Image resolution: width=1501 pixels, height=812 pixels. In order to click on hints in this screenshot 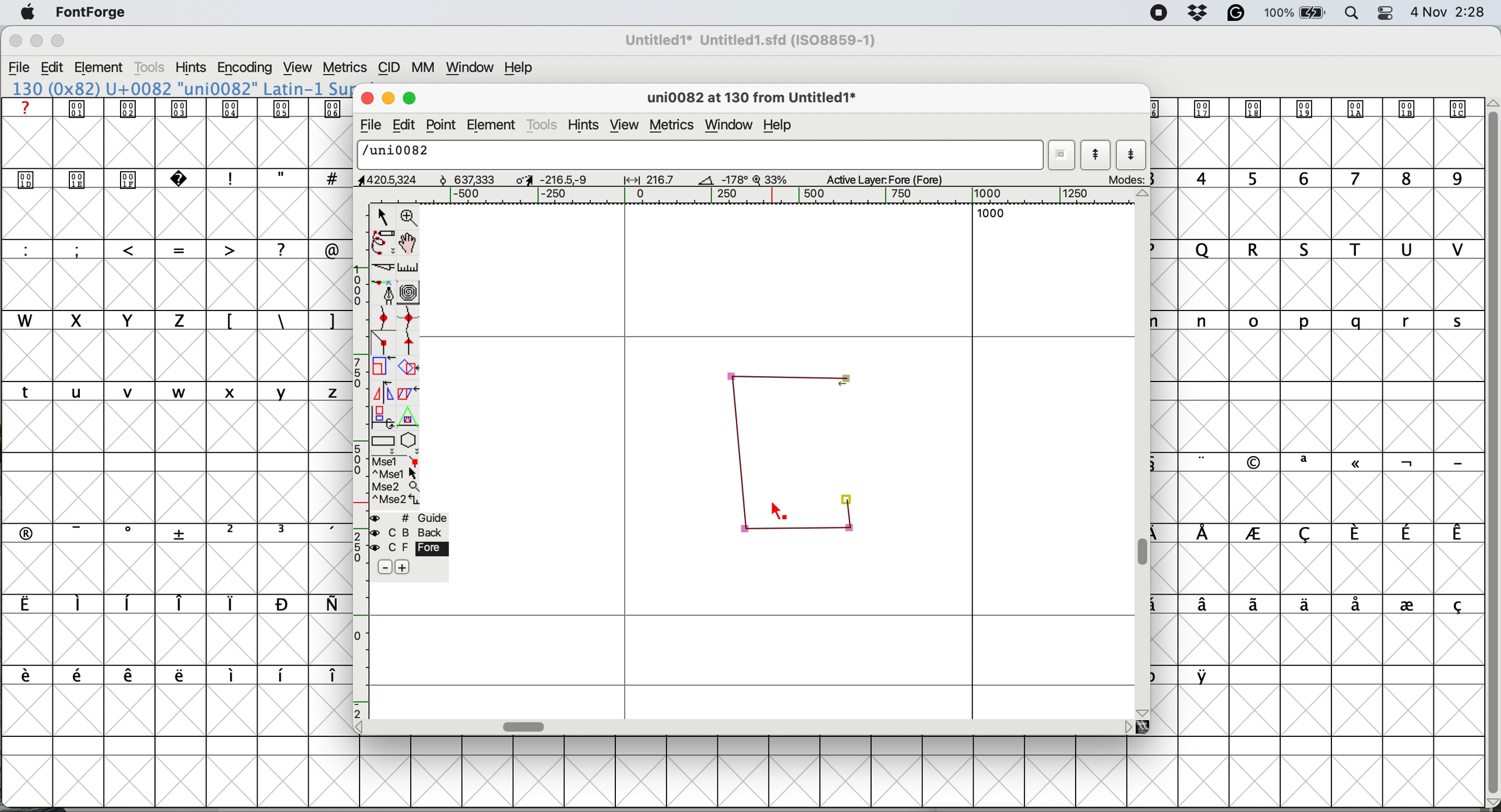, I will do `click(191, 67)`.